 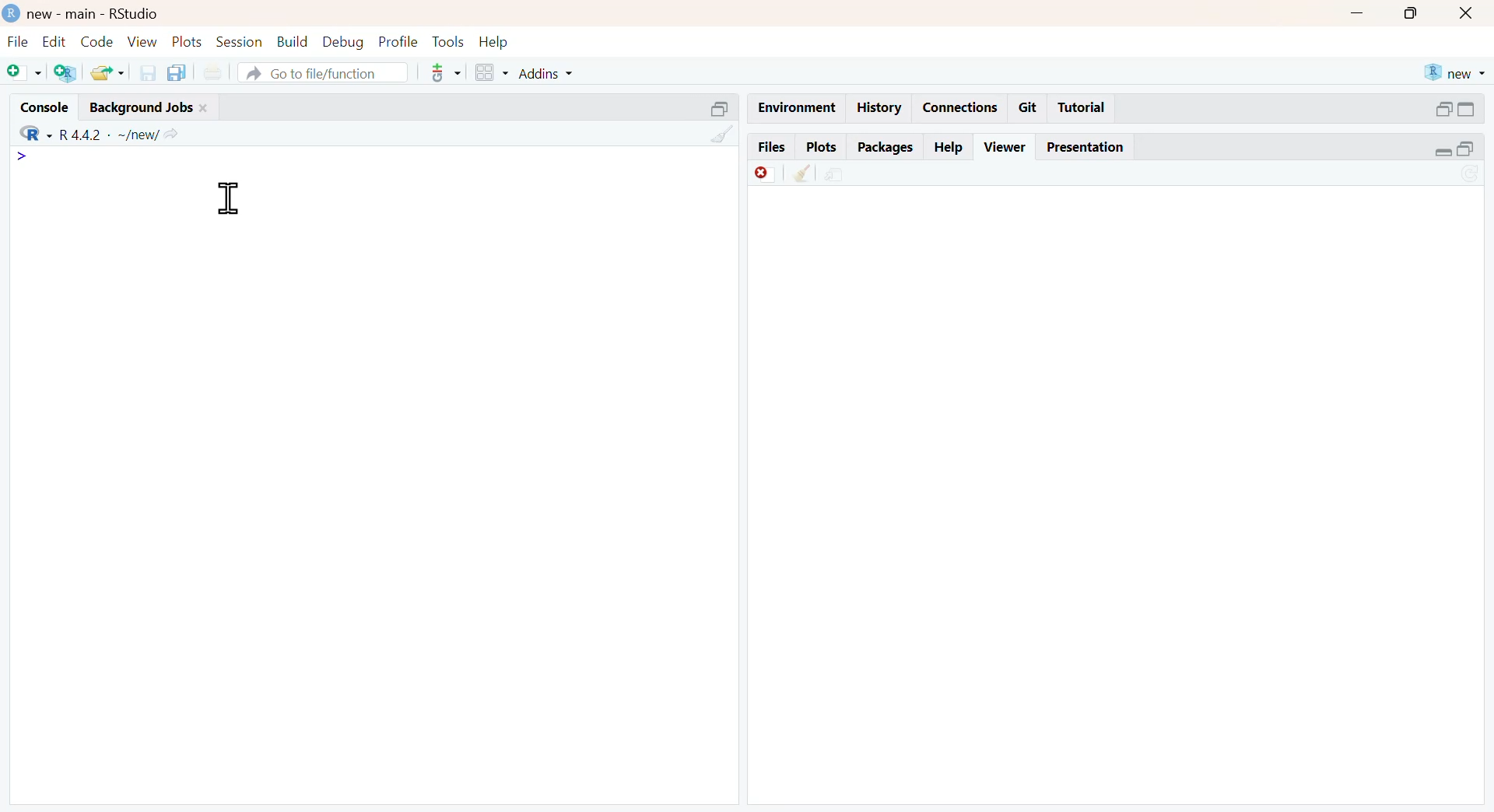 What do you see at coordinates (228, 198) in the screenshot?
I see `cursor` at bounding box center [228, 198].